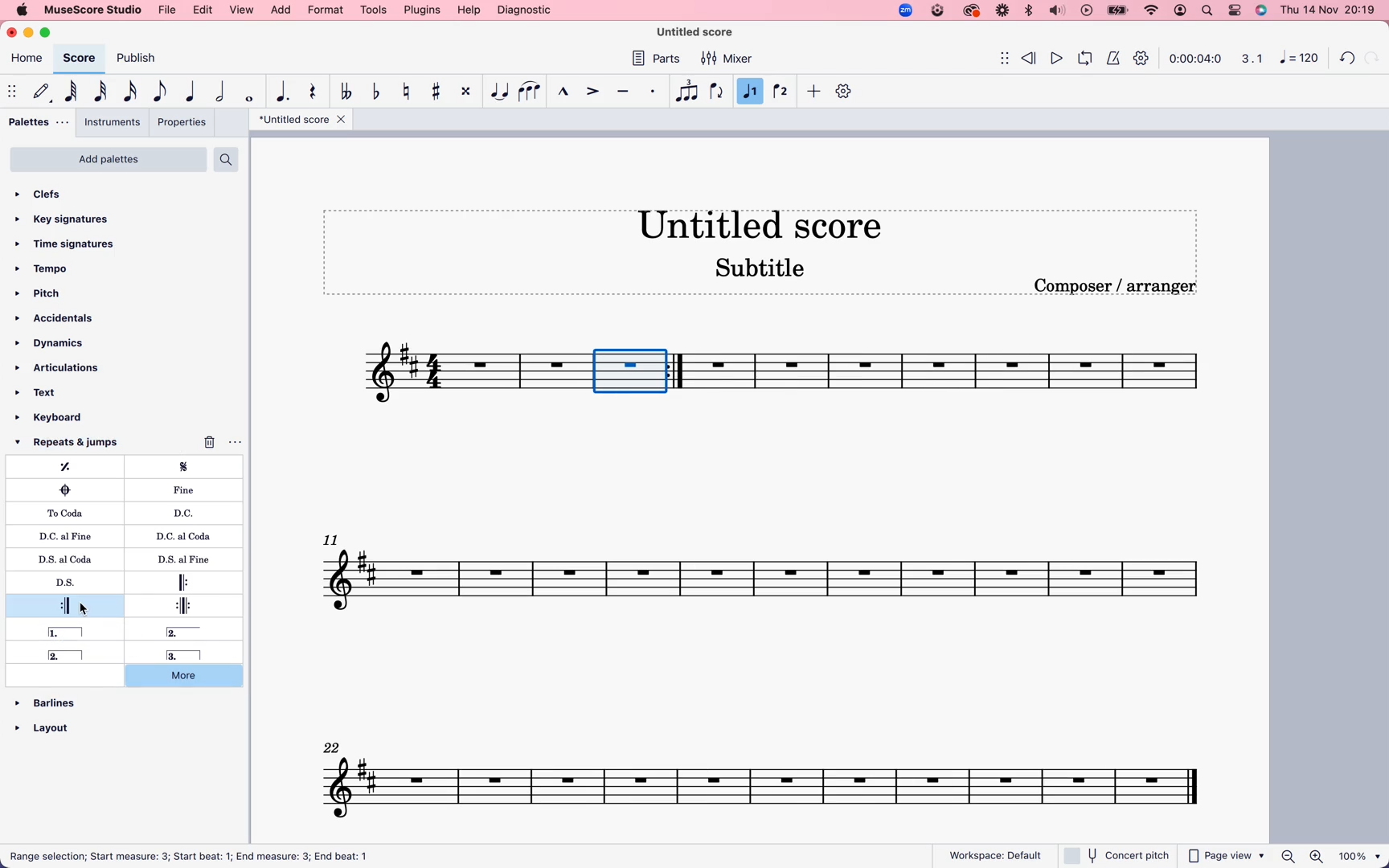 The image size is (1389, 868). What do you see at coordinates (61, 367) in the screenshot?
I see `articulations` at bounding box center [61, 367].